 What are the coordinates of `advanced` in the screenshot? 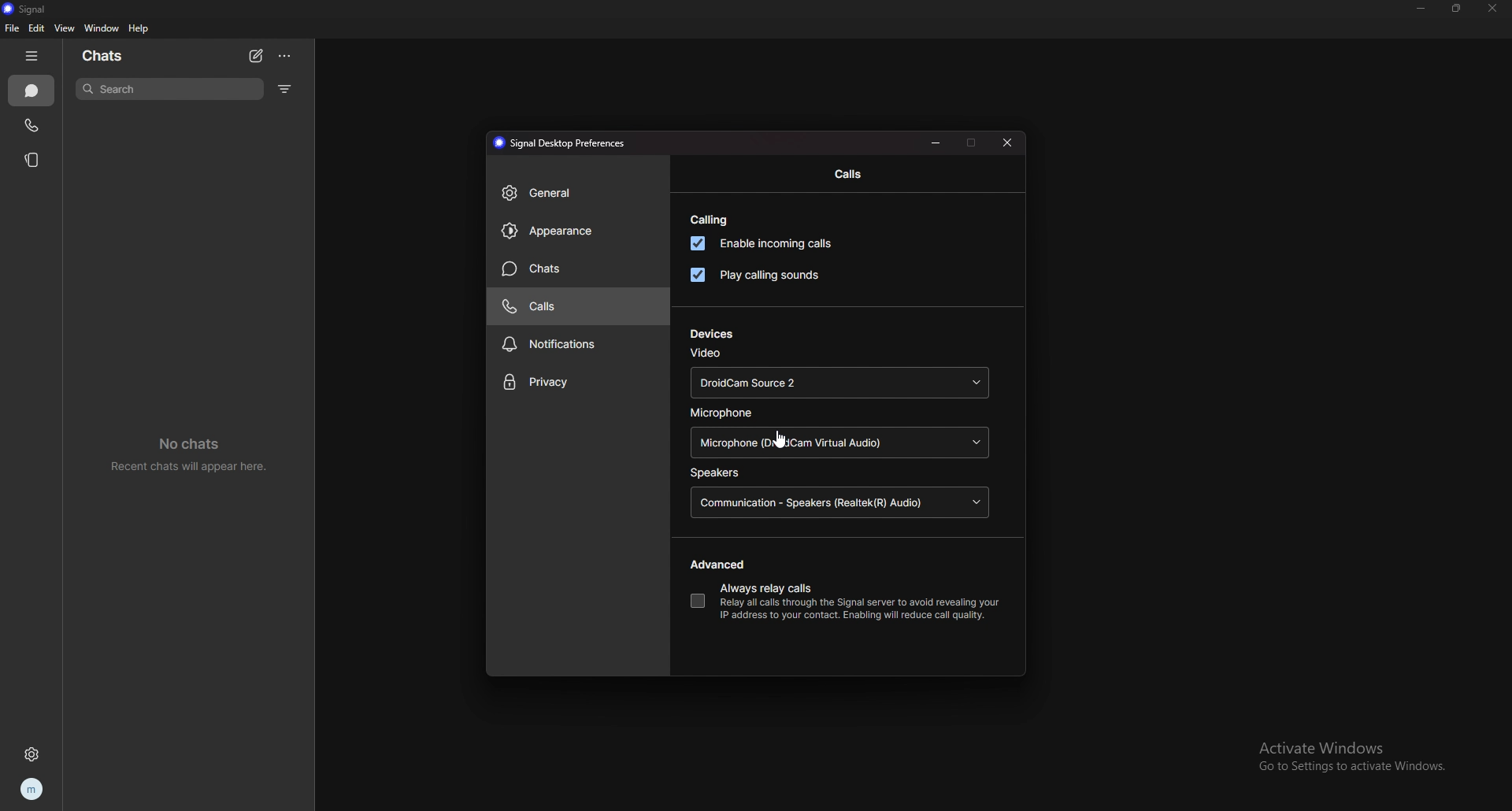 It's located at (721, 565).